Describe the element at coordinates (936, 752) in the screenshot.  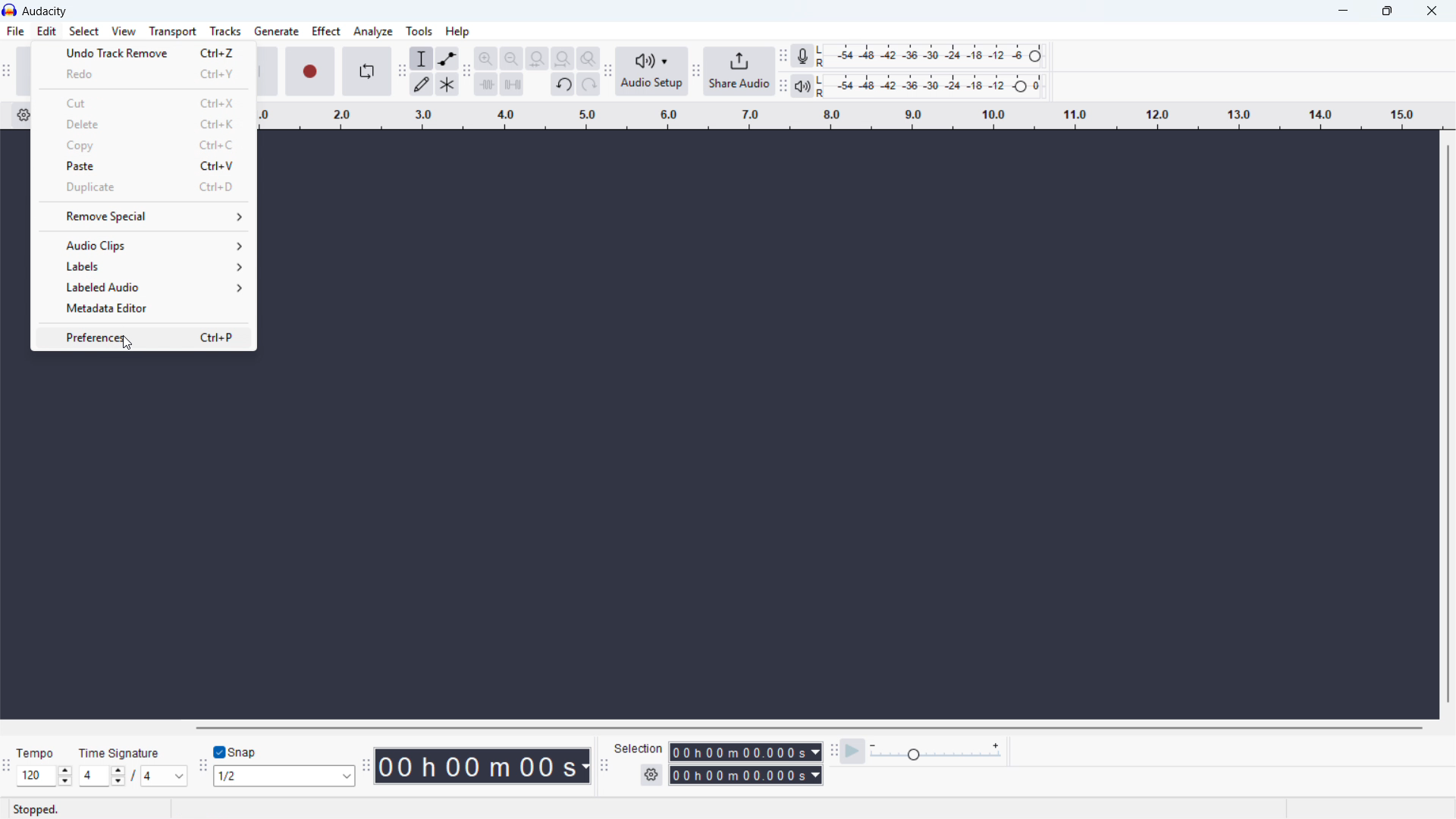
I see `playback speed` at that location.